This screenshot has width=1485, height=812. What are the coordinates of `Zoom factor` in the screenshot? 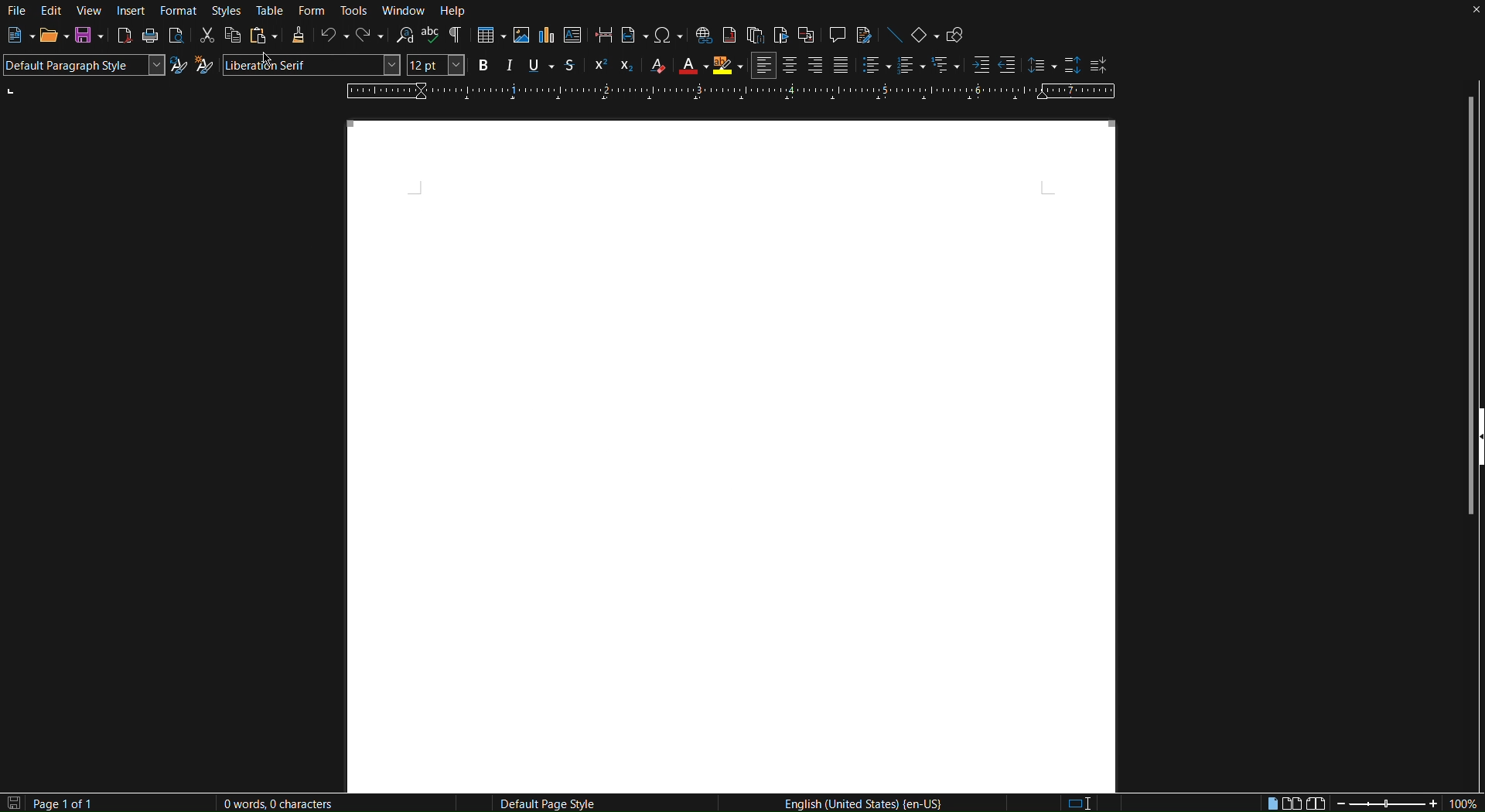 It's located at (1466, 802).